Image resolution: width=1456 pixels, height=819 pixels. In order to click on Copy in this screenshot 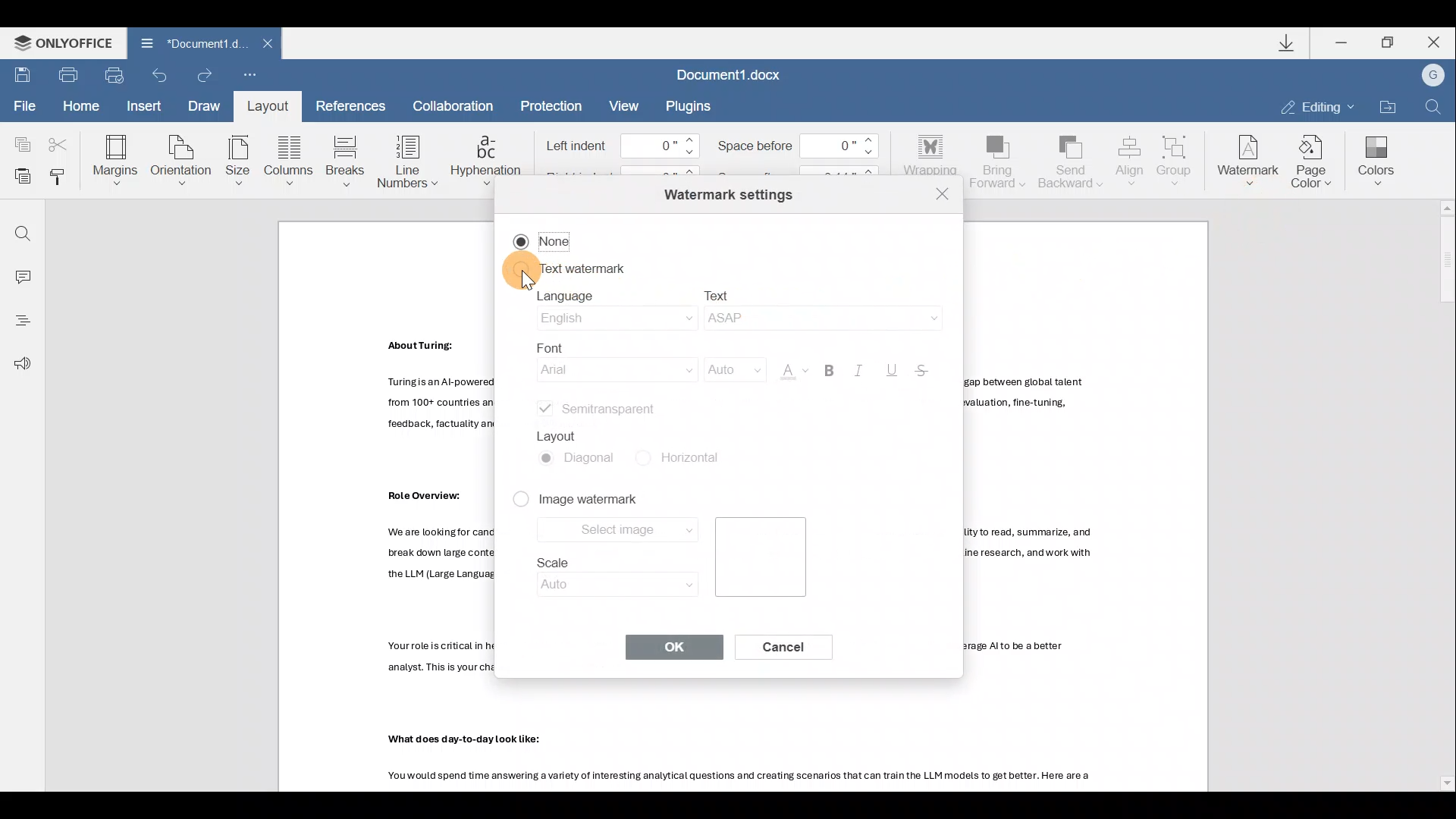, I will do `click(19, 142)`.